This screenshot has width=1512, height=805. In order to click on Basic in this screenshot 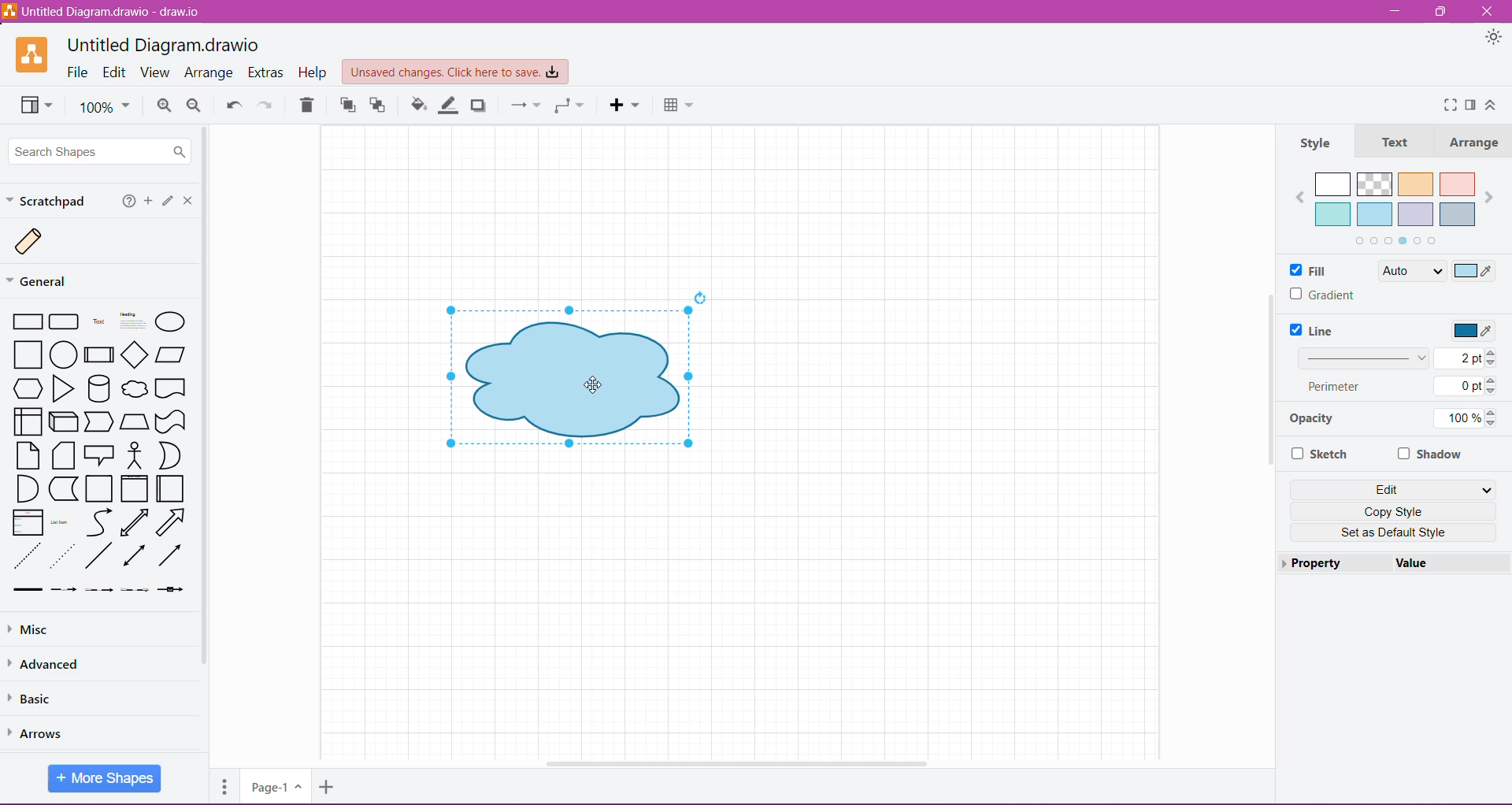, I will do `click(38, 699)`.